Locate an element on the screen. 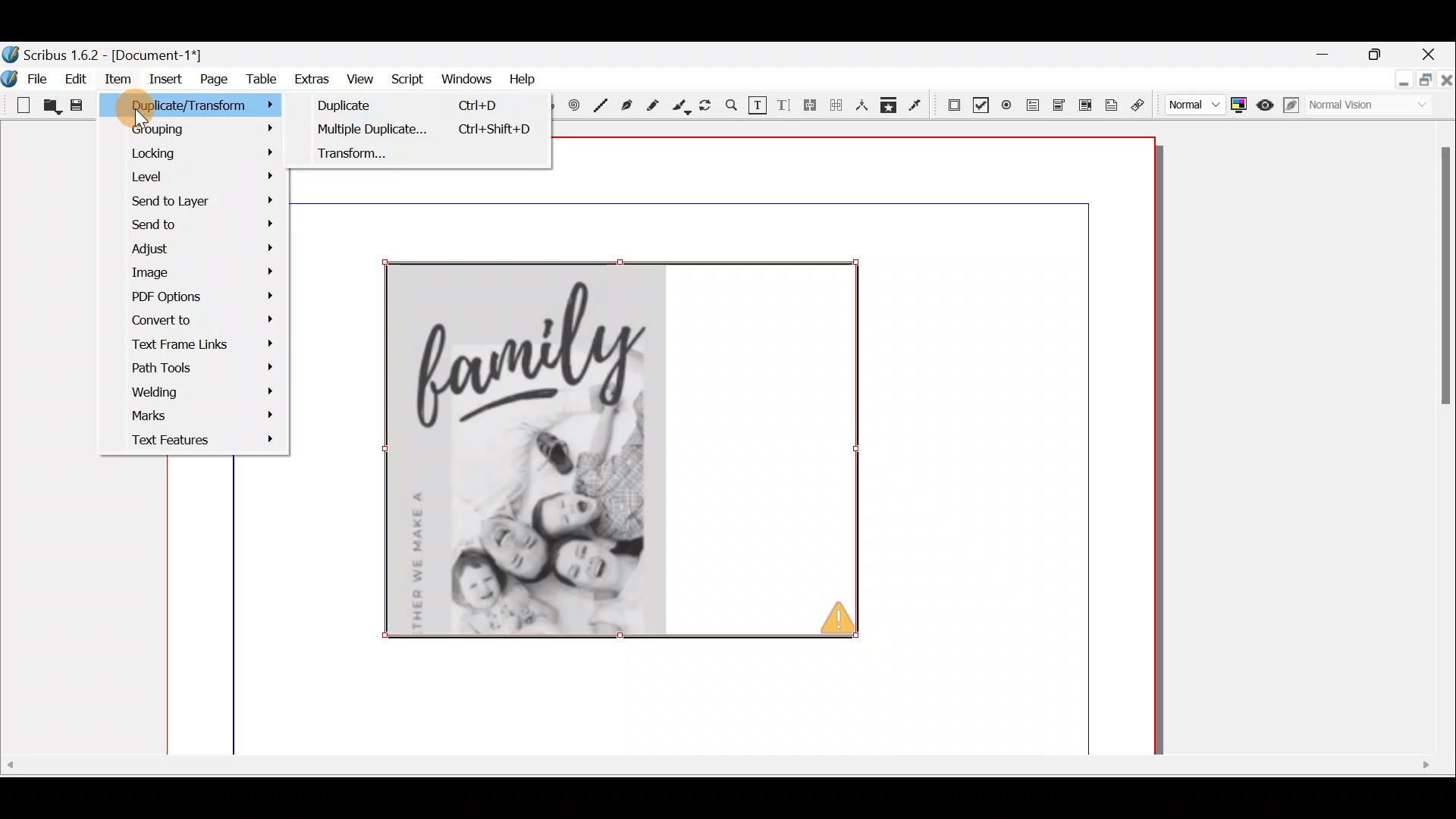  Edit in preview mode is located at coordinates (1294, 108).